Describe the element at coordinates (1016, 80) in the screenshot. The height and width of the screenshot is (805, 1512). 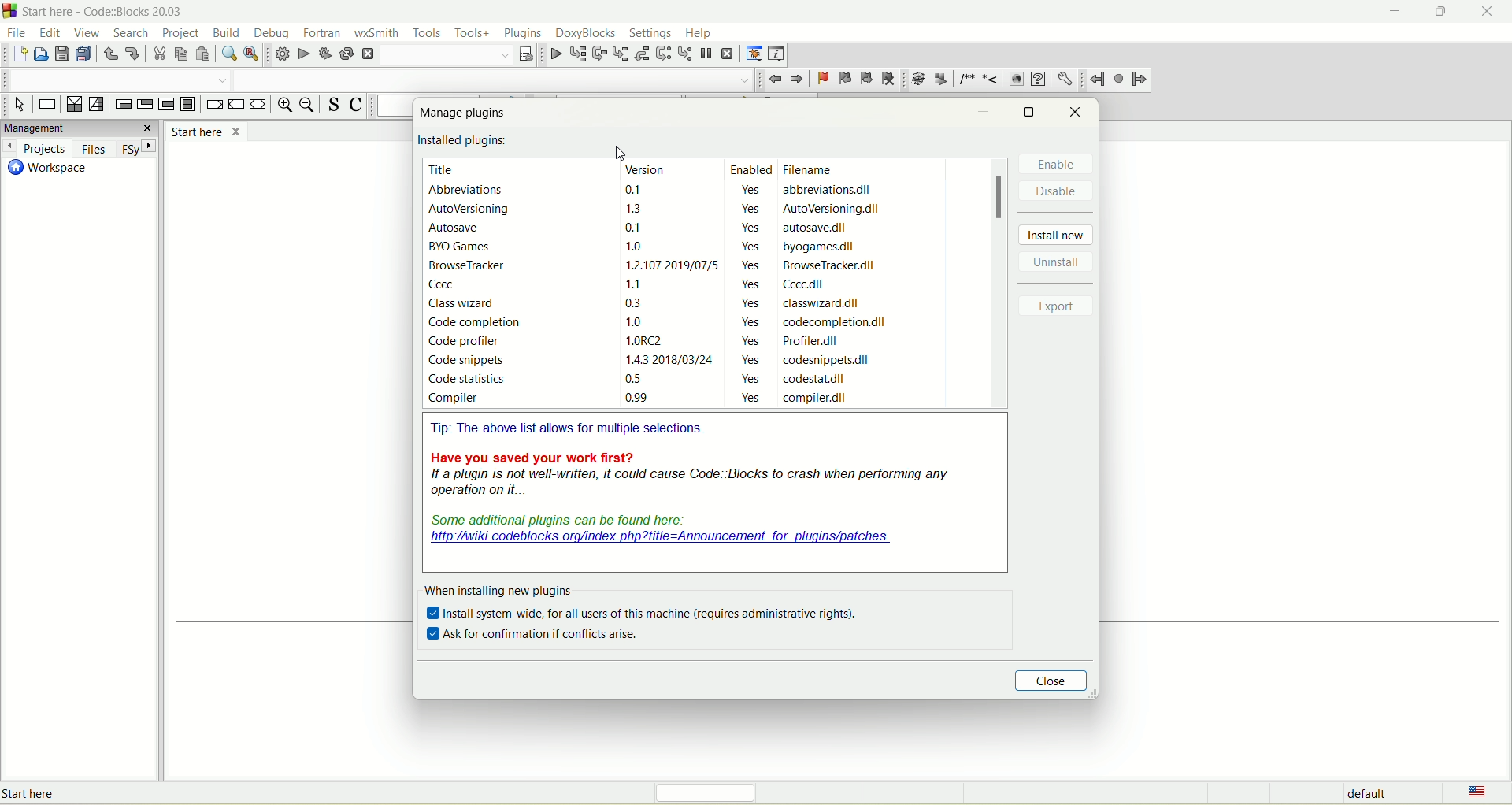
I see `web` at that location.